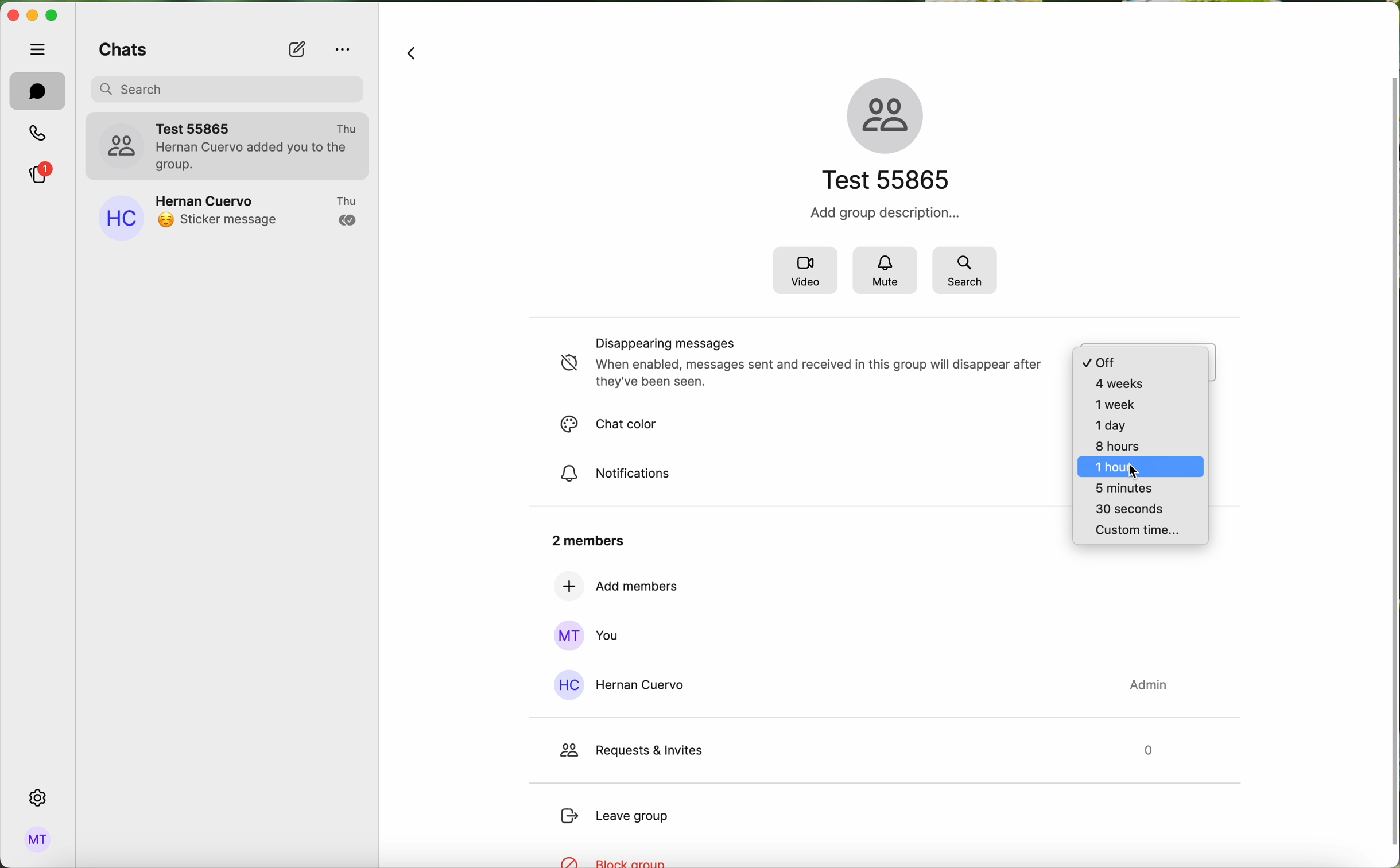  What do you see at coordinates (885, 212) in the screenshot?
I see `Add group description...` at bounding box center [885, 212].